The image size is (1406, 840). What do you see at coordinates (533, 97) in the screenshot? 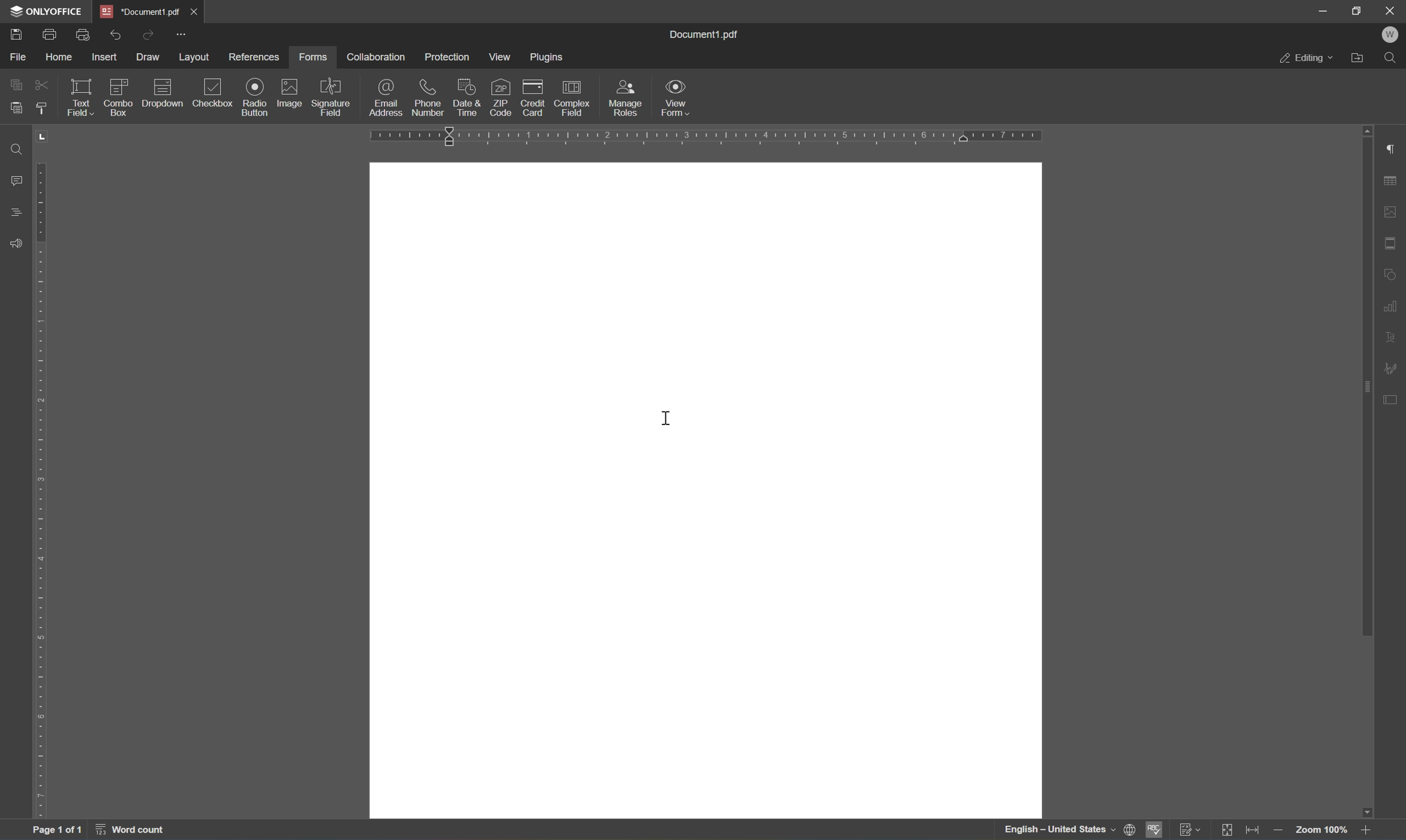
I see `credit card` at bounding box center [533, 97].